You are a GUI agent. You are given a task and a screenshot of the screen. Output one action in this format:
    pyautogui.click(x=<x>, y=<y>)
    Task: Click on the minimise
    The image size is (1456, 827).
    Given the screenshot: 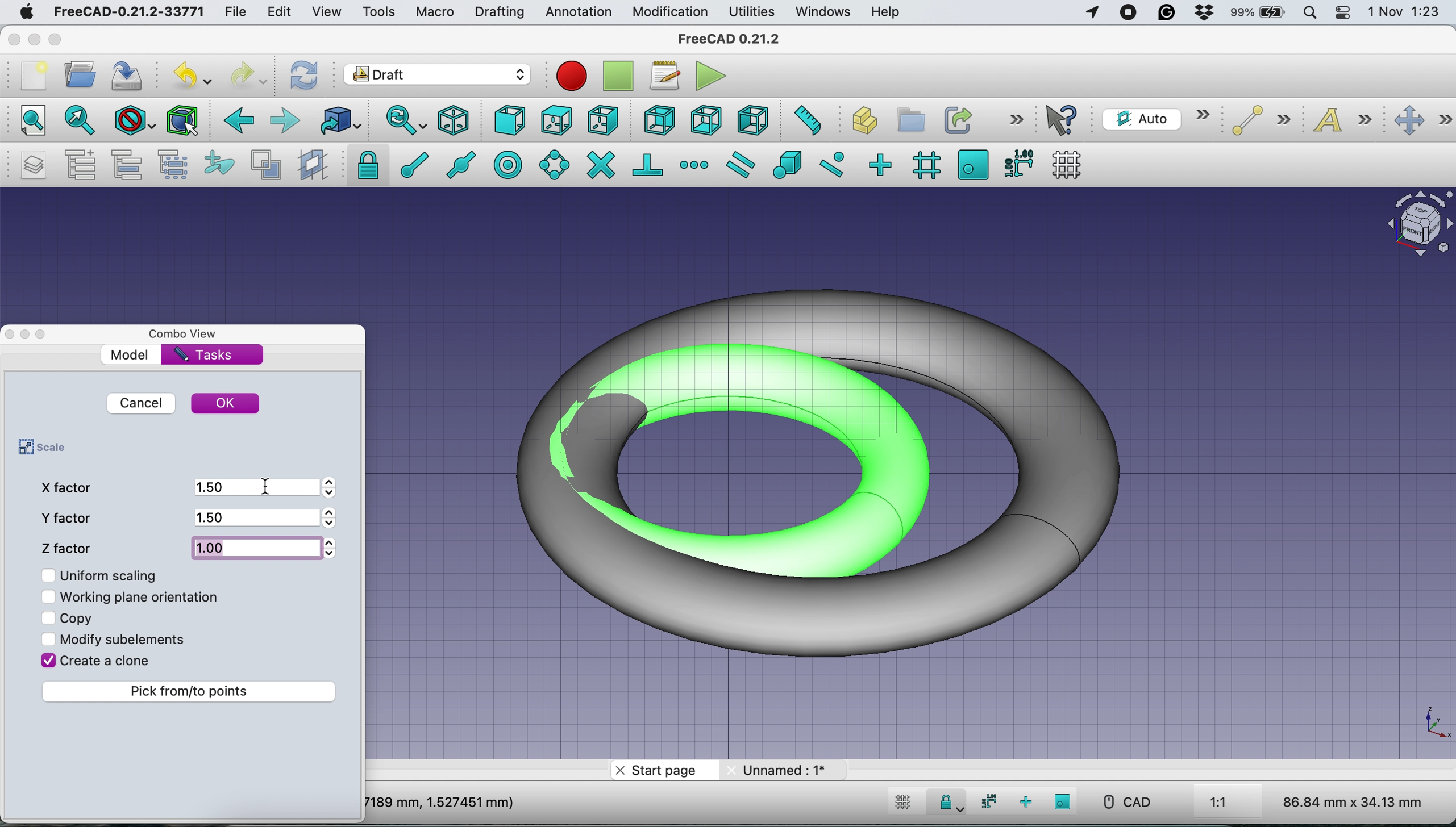 What is the action you would take?
    pyautogui.click(x=34, y=36)
    